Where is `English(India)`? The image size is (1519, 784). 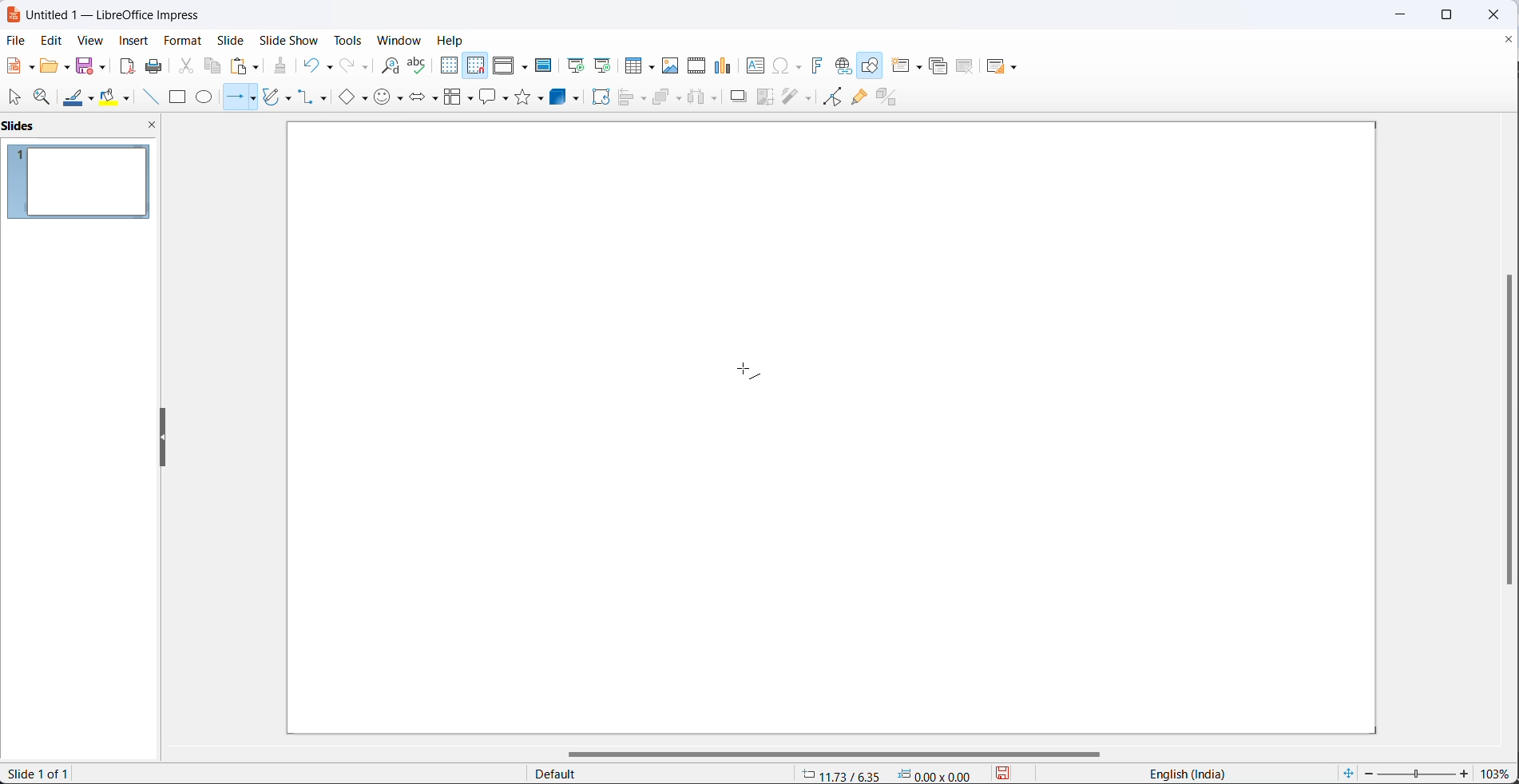
English(India) is located at coordinates (1180, 774).